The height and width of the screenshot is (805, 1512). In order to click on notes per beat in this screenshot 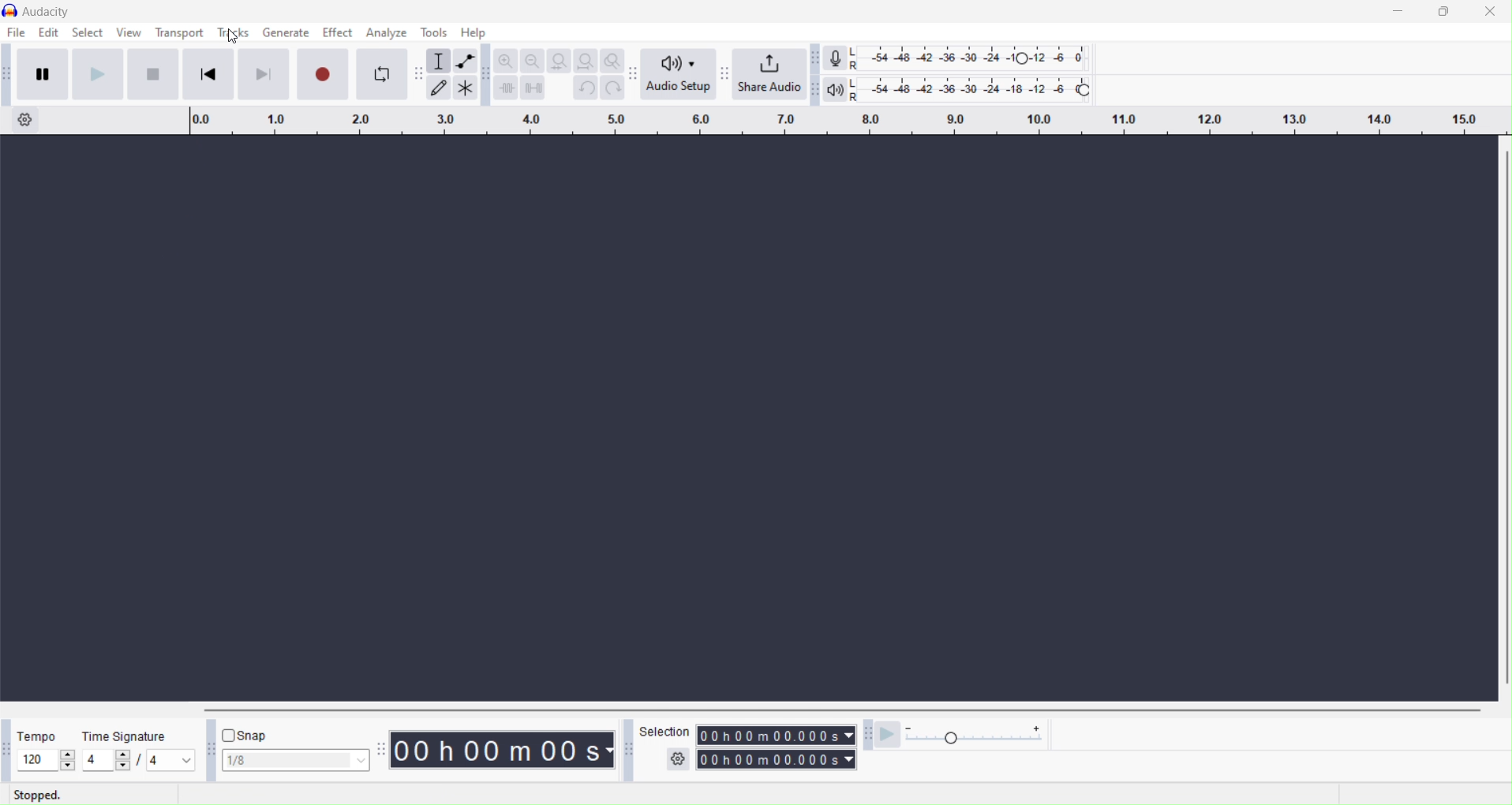, I will do `click(171, 759)`.